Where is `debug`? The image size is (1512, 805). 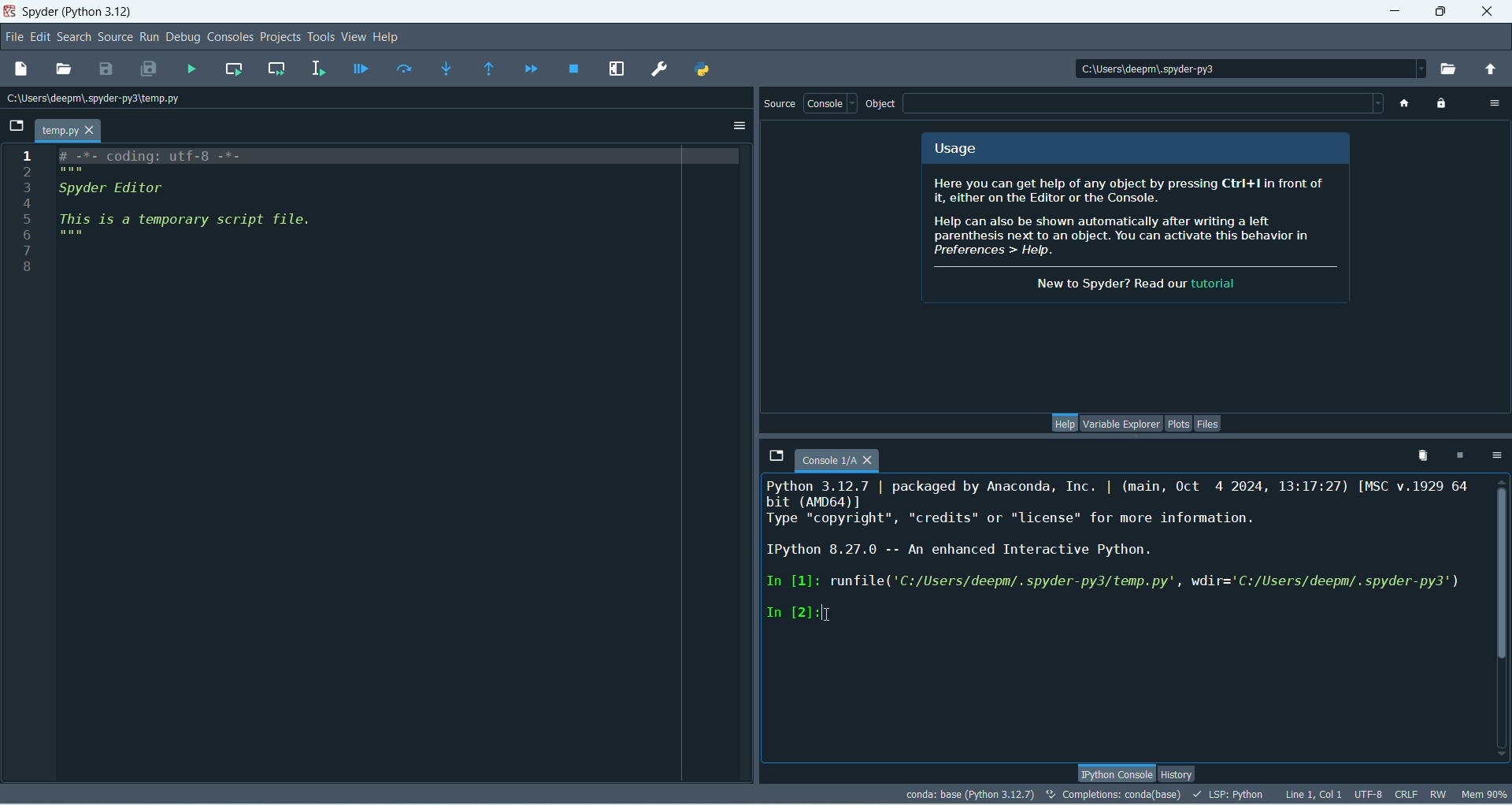 debug is located at coordinates (183, 38).